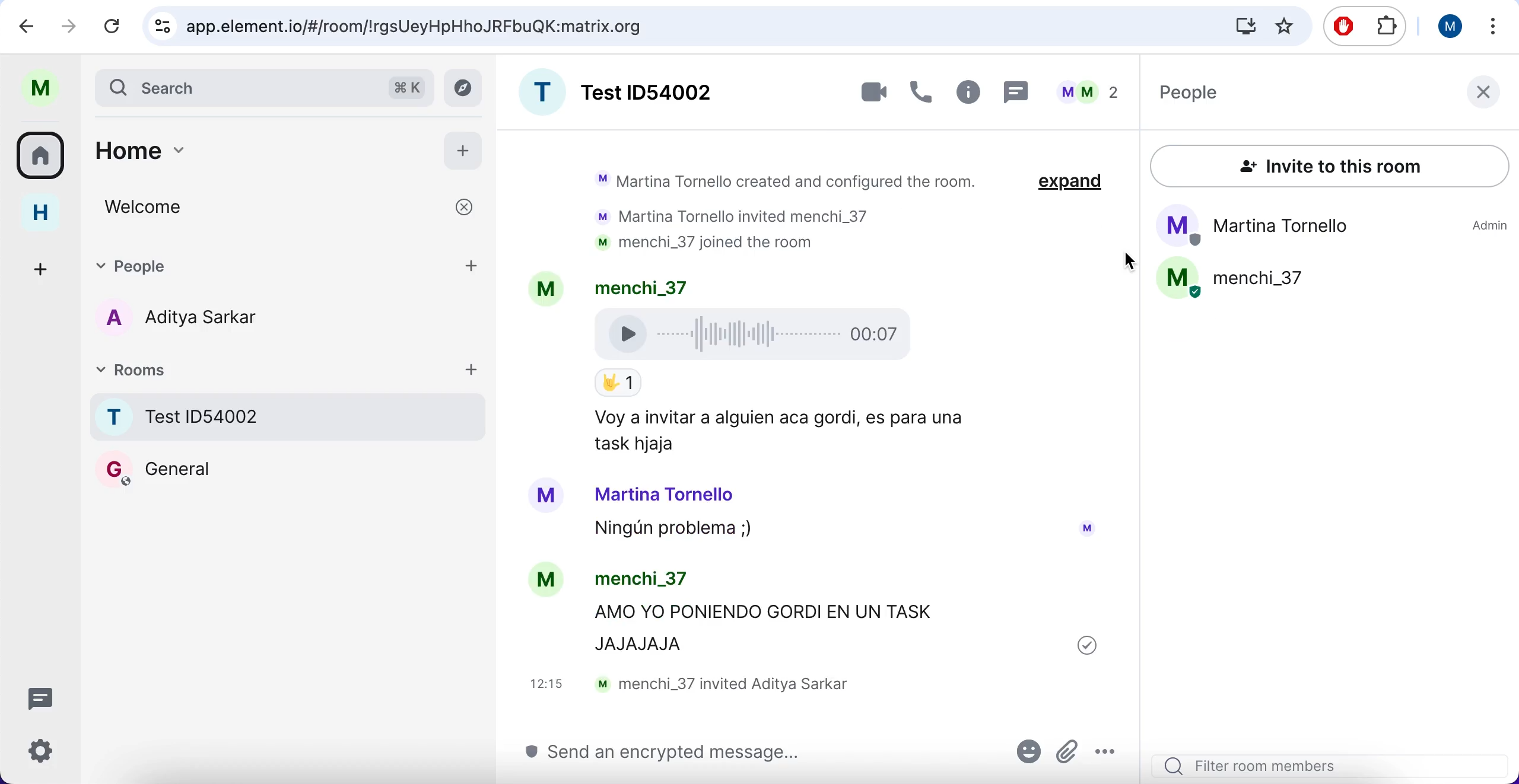 The width and height of the screenshot is (1519, 784). I want to click on people, so click(268, 262).